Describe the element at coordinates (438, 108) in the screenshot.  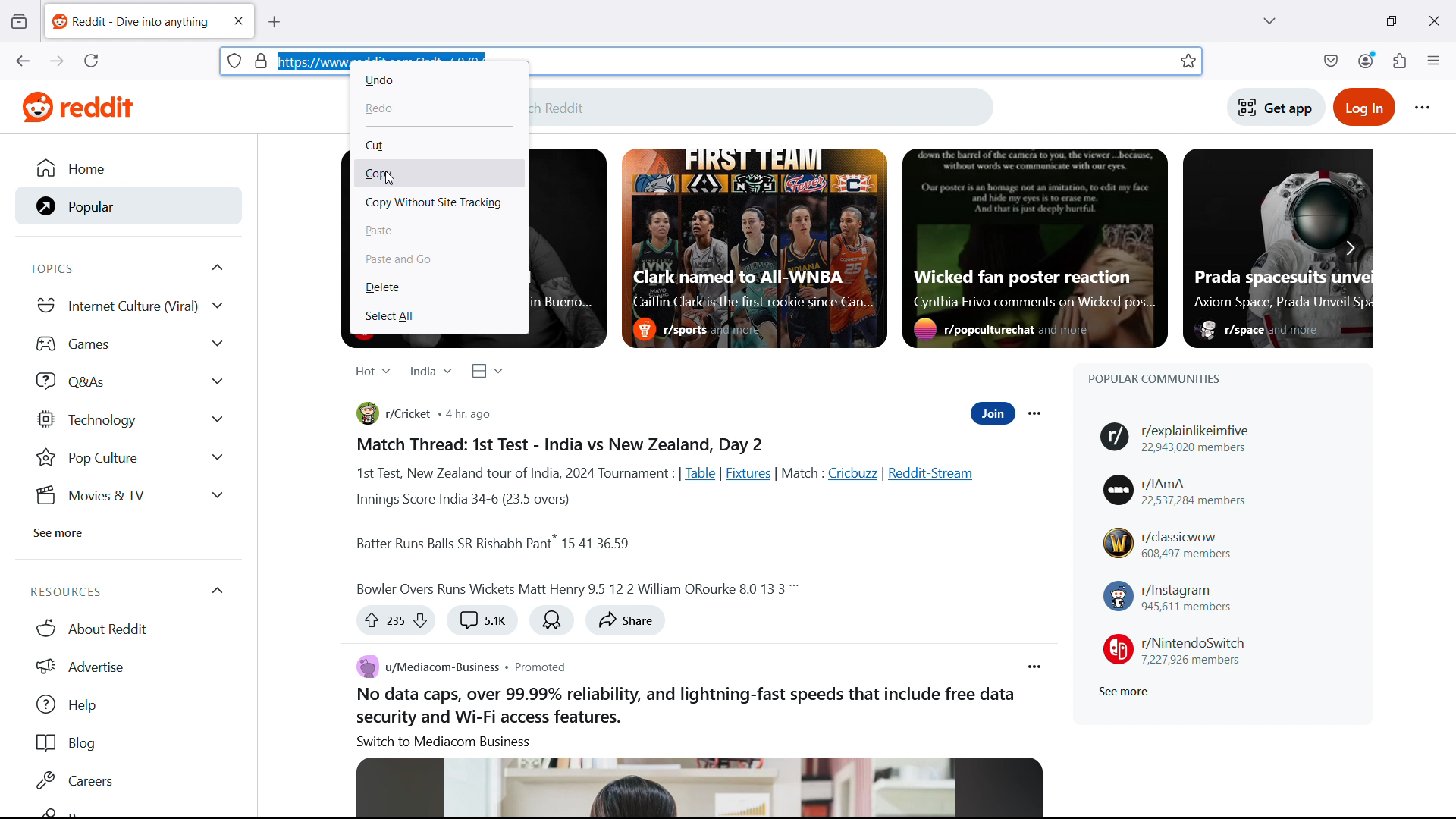
I see `redo` at that location.